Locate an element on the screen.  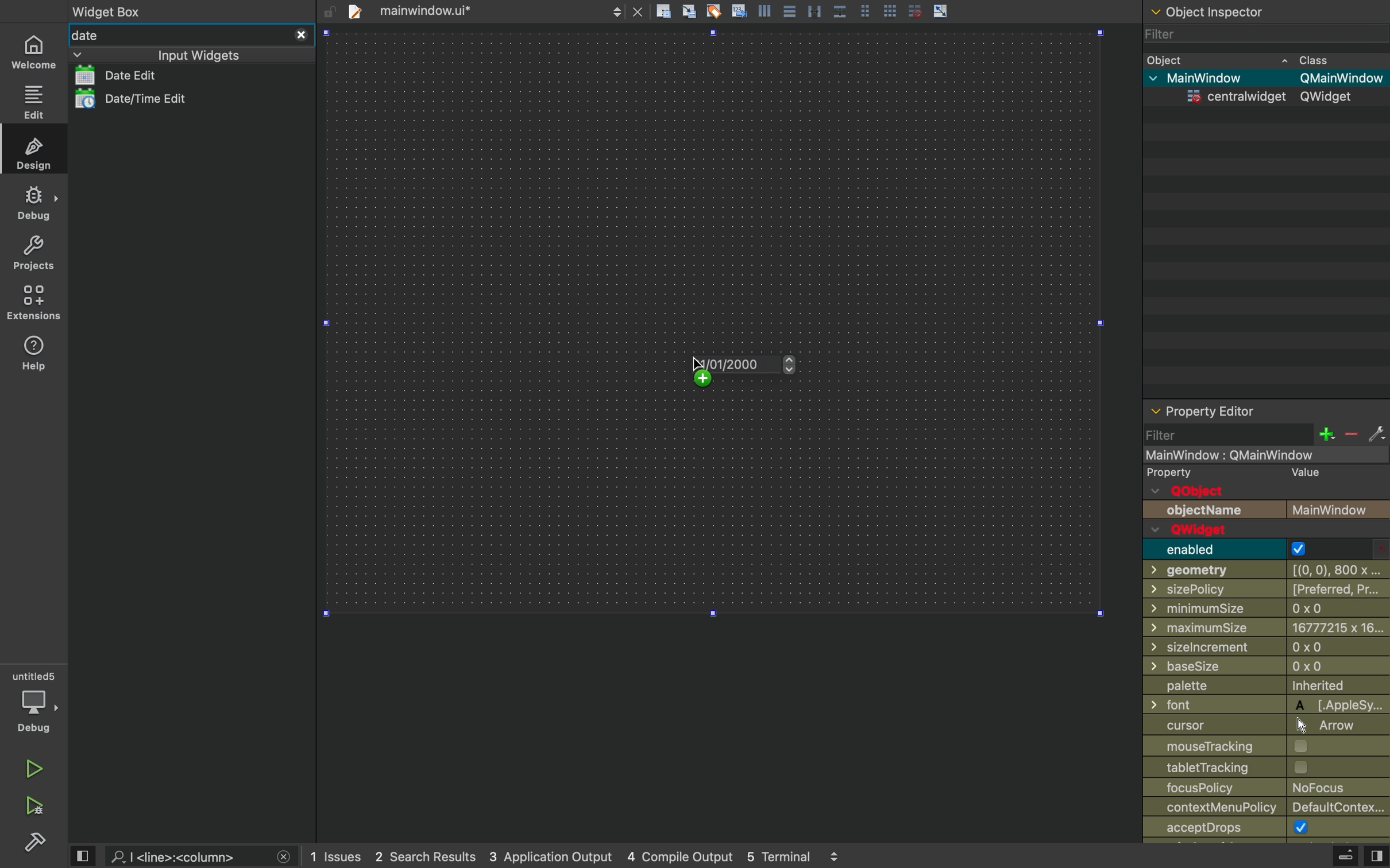
property is located at coordinates (1241, 472).